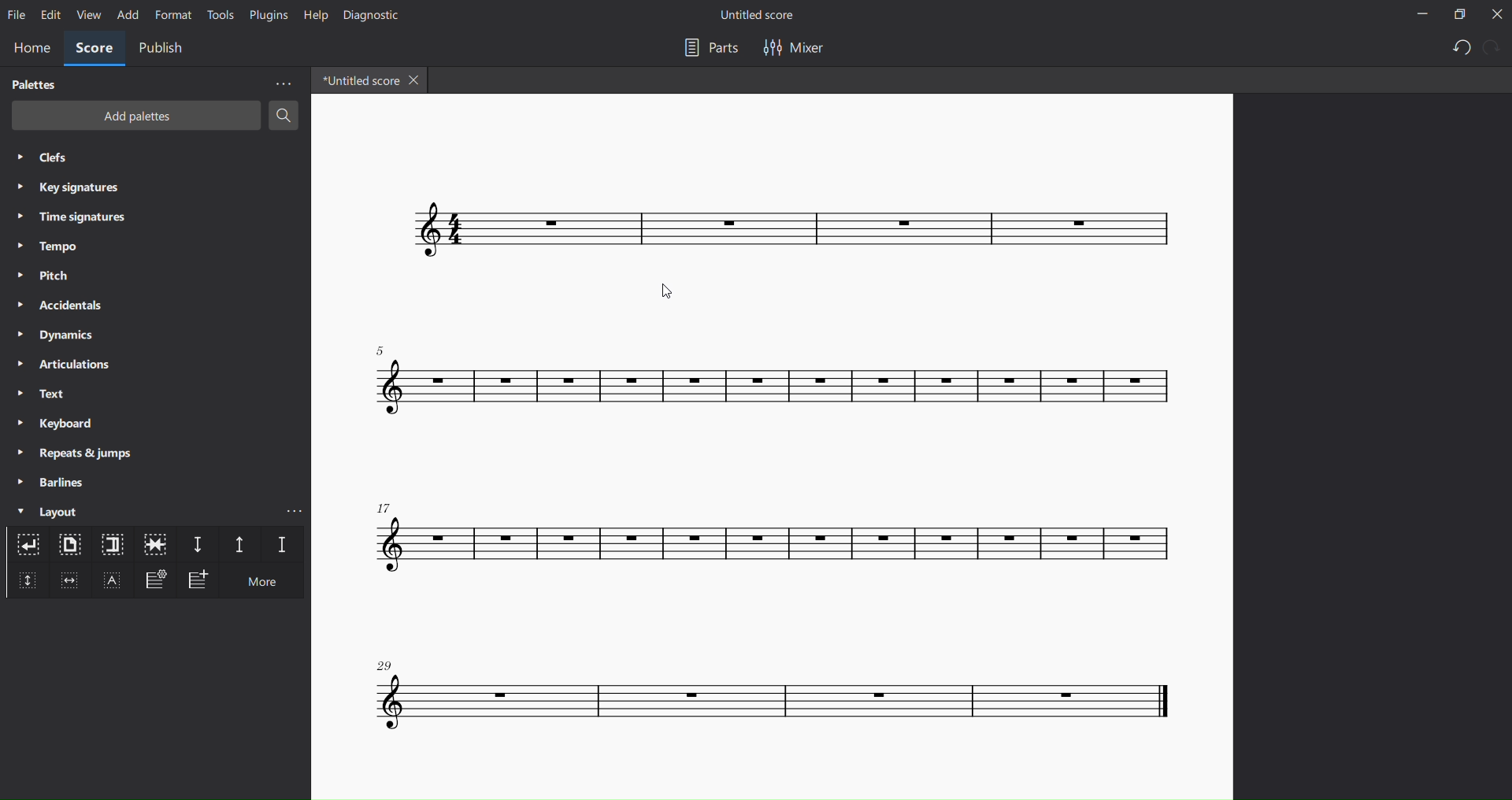  What do you see at coordinates (25, 587) in the screenshot?
I see `insert vertical frame` at bounding box center [25, 587].